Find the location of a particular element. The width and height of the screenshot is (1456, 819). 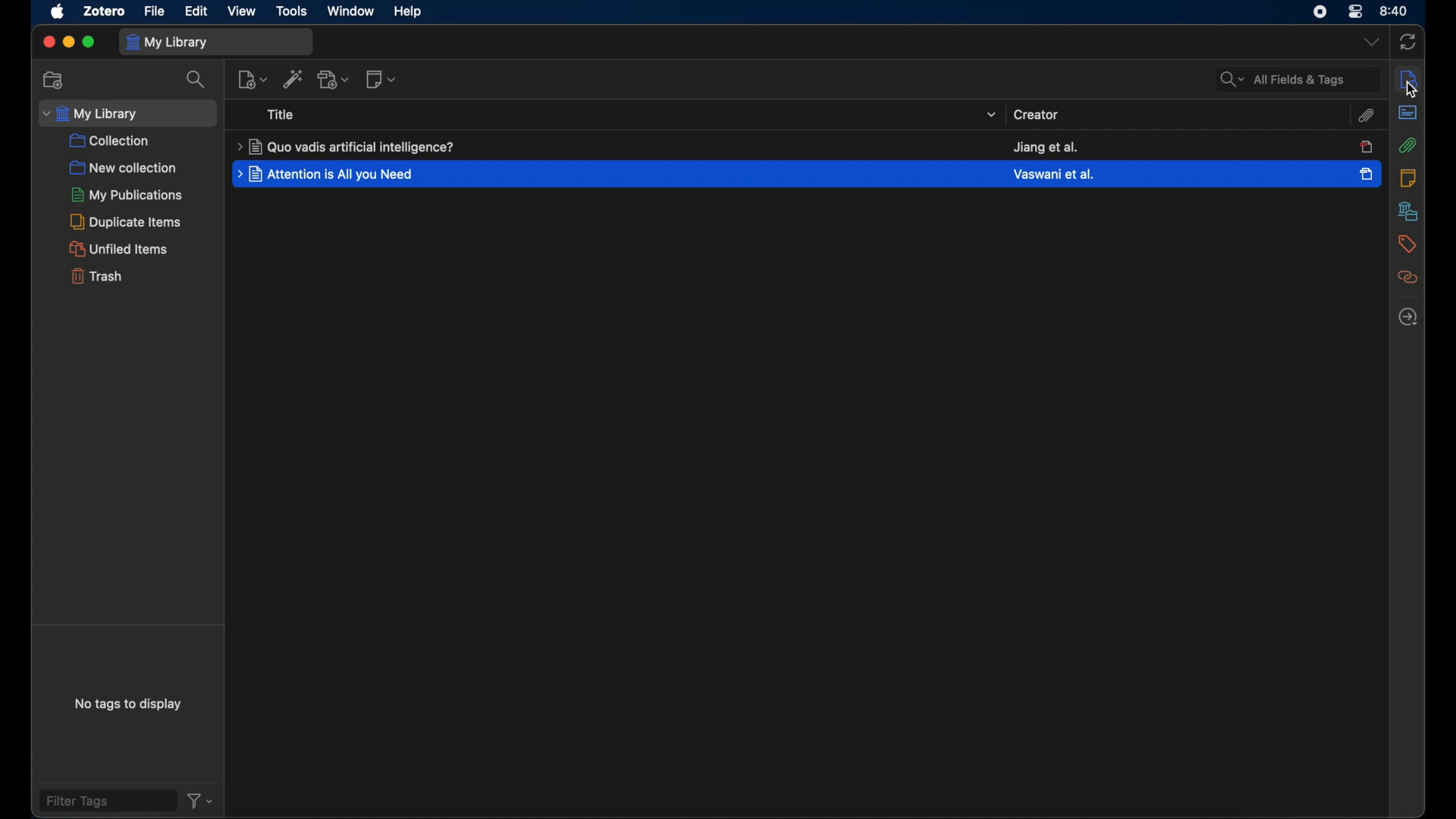

title is located at coordinates (325, 174).